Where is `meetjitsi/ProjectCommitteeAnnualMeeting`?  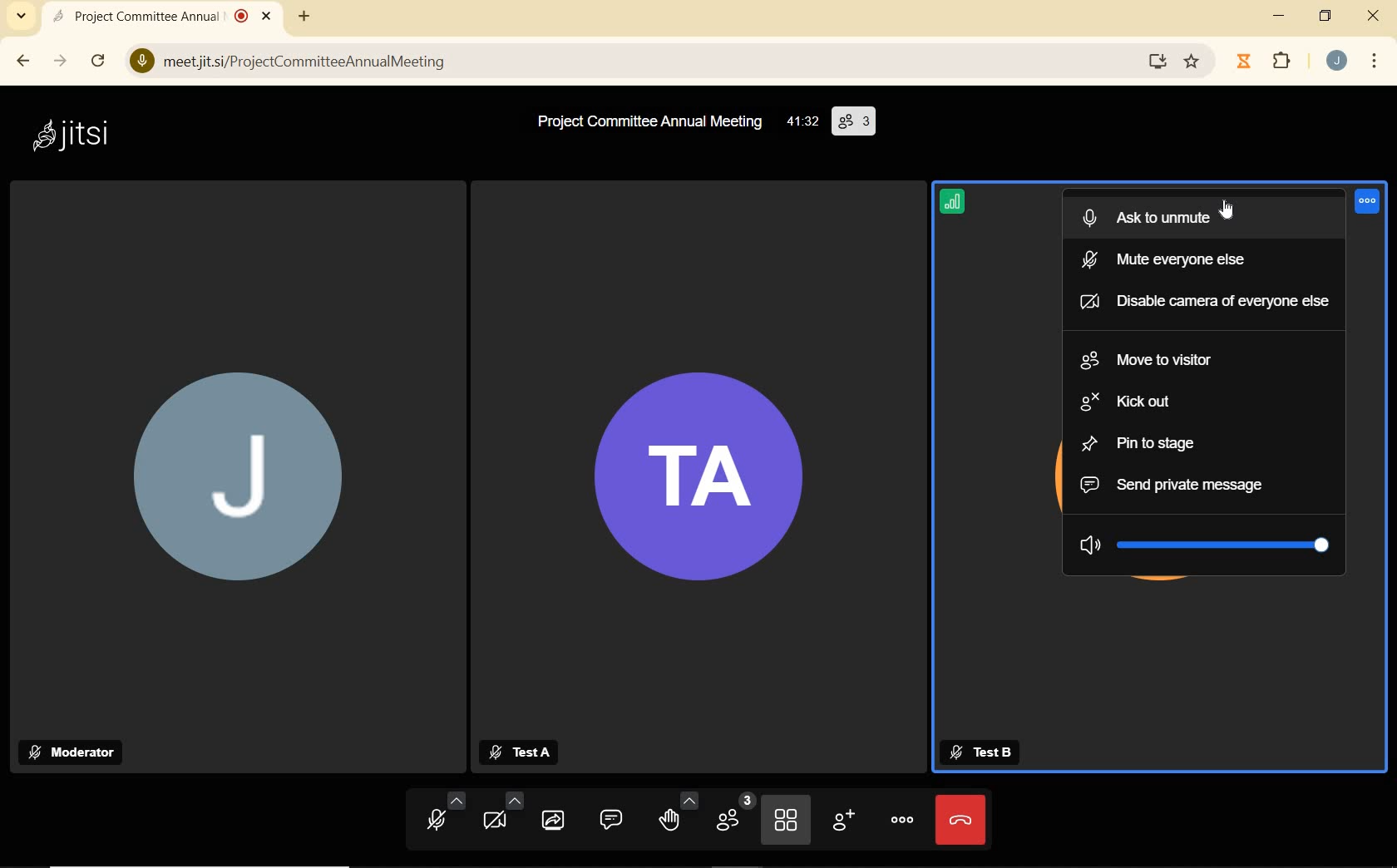 meetjitsi/ProjectCommitteeAnnualMeeting is located at coordinates (630, 64).